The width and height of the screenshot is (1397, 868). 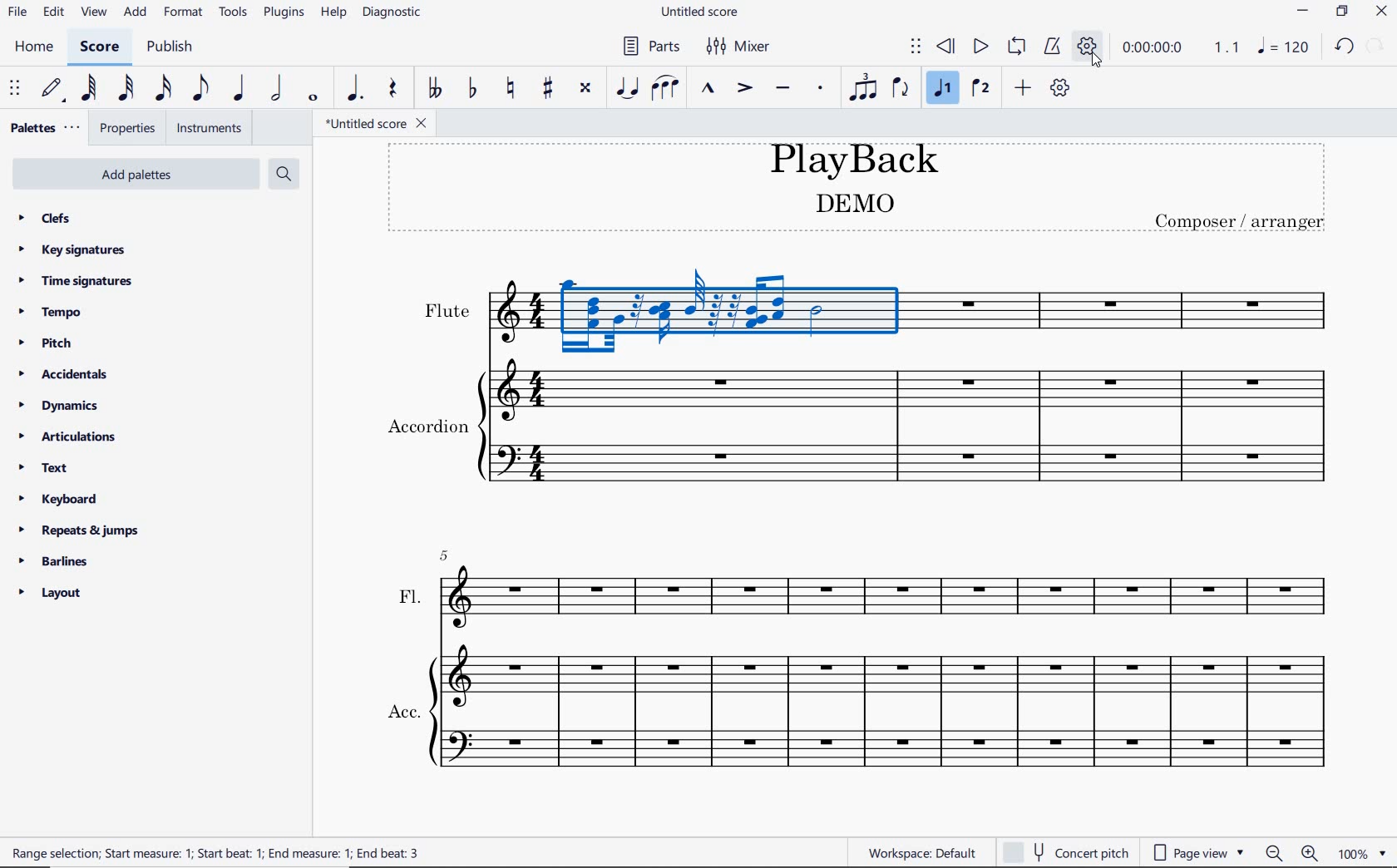 What do you see at coordinates (199, 89) in the screenshot?
I see `eighth note` at bounding box center [199, 89].